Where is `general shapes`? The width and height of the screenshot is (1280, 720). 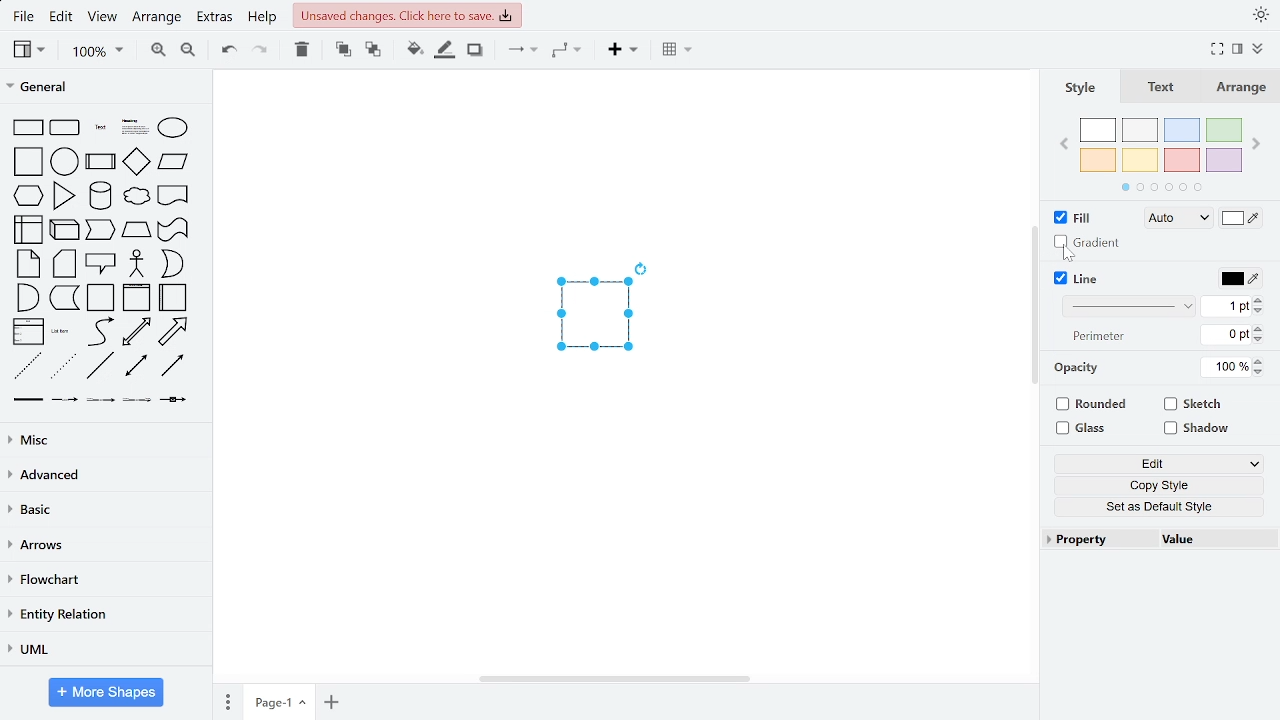
general shapes is located at coordinates (62, 230).